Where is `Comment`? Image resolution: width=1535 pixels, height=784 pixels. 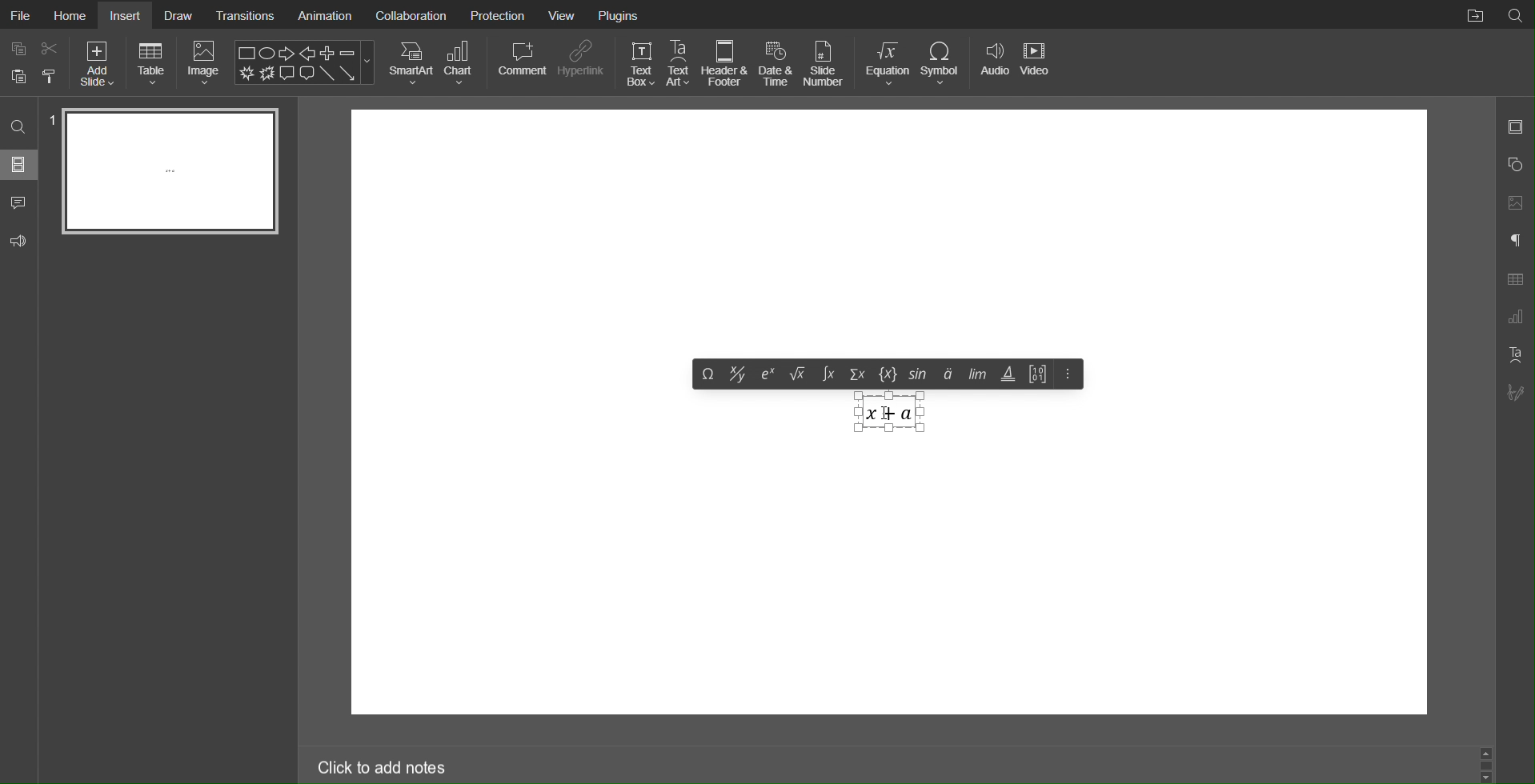 Comment is located at coordinates (22, 202).